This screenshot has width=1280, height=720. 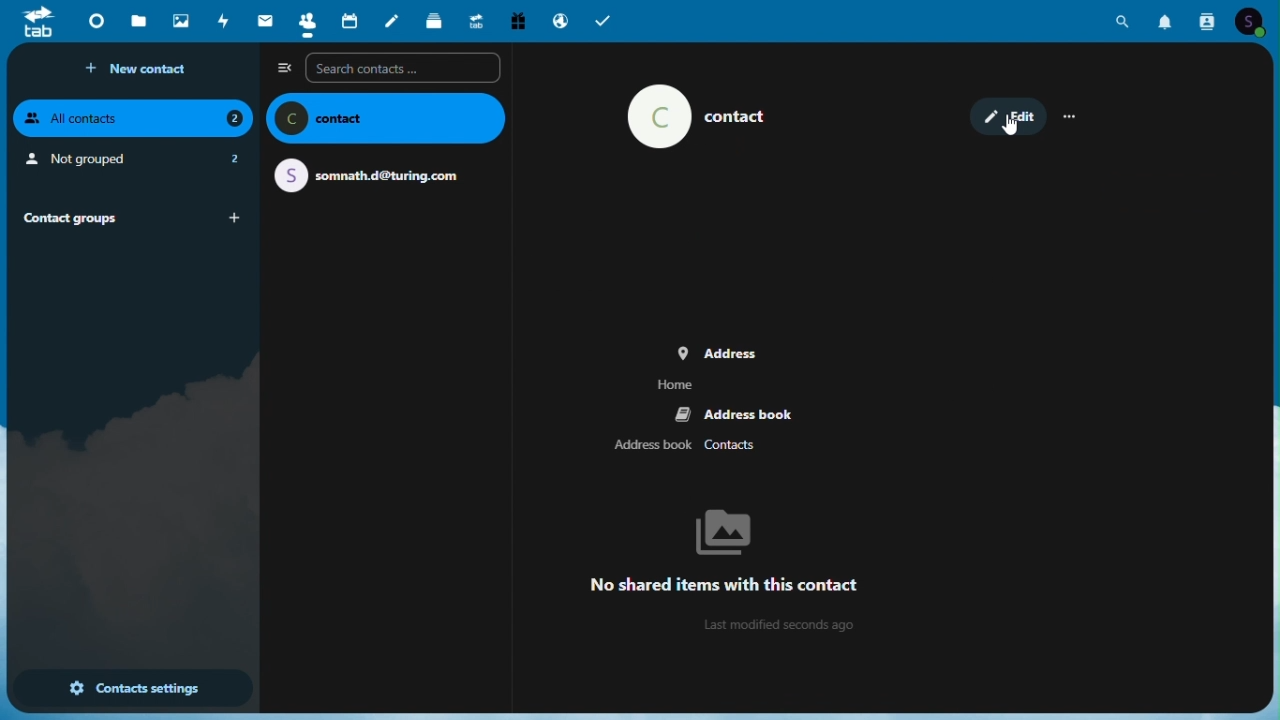 What do you see at coordinates (605, 20) in the screenshot?
I see `Tasks` at bounding box center [605, 20].